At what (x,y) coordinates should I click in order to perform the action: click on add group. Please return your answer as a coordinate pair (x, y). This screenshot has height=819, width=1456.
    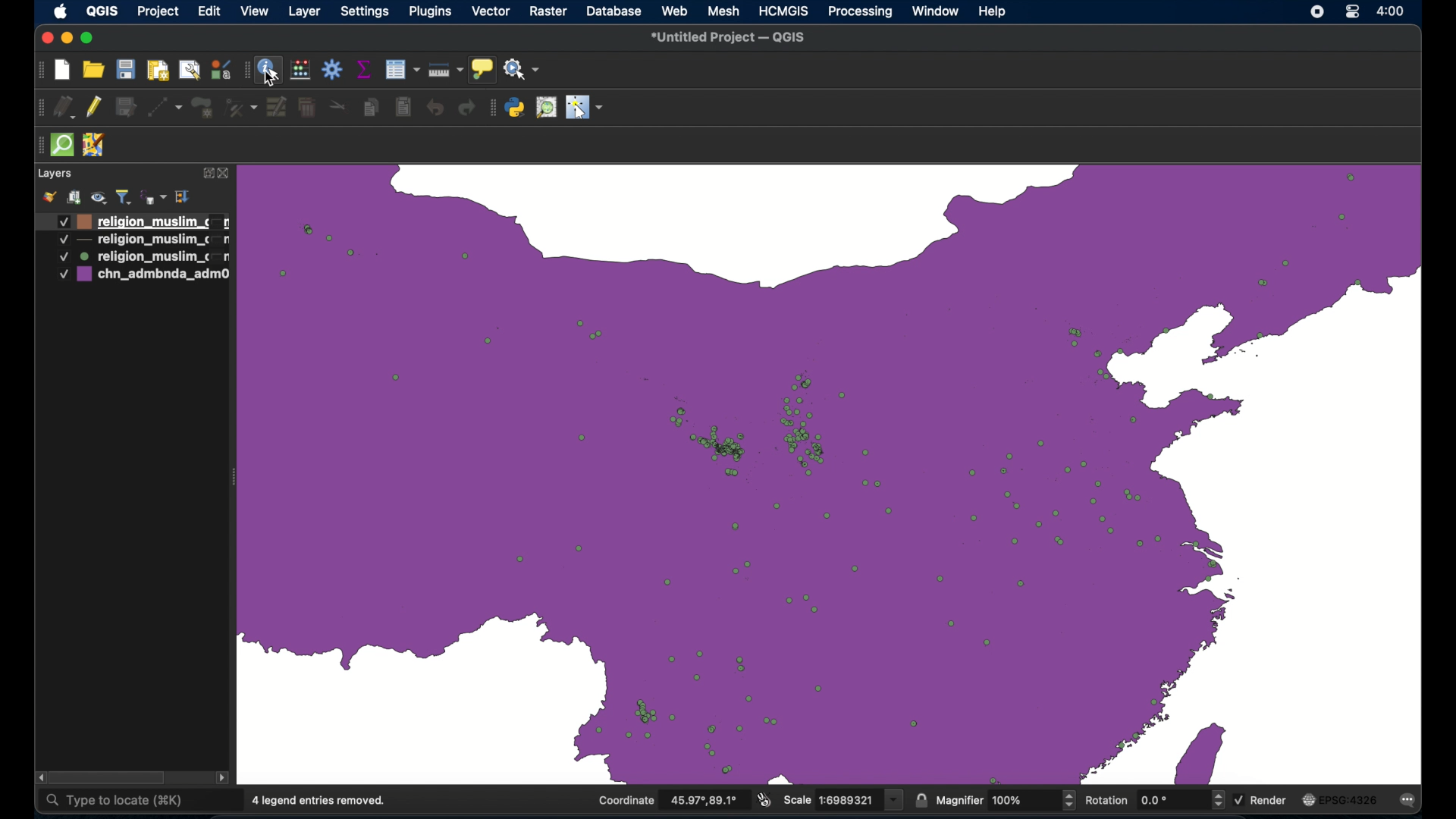
    Looking at the image, I should click on (74, 196).